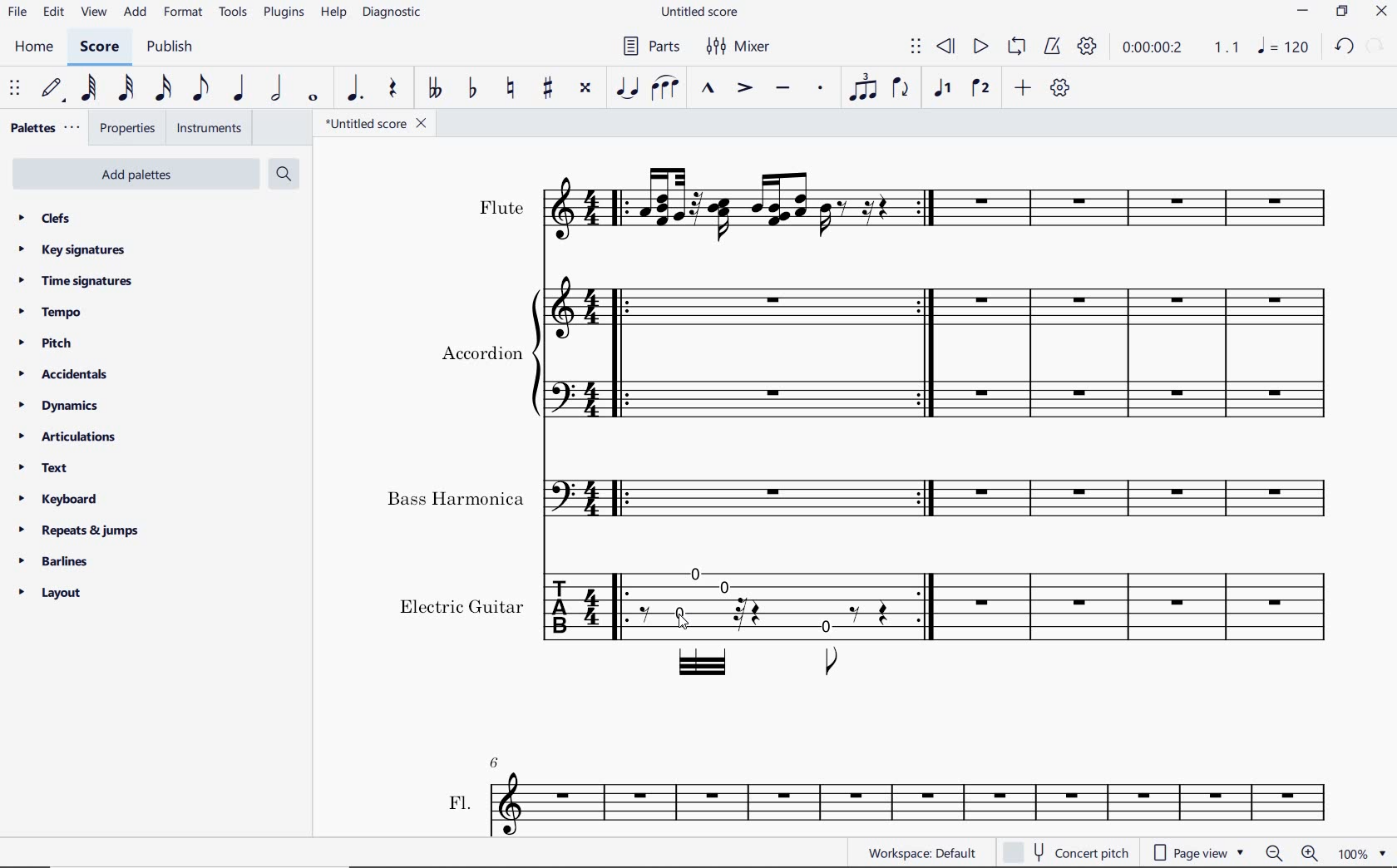 This screenshot has width=1397, height=868. Describe the element at coordinates (50, 311) in the screenshot. I see `tempo` at that location.